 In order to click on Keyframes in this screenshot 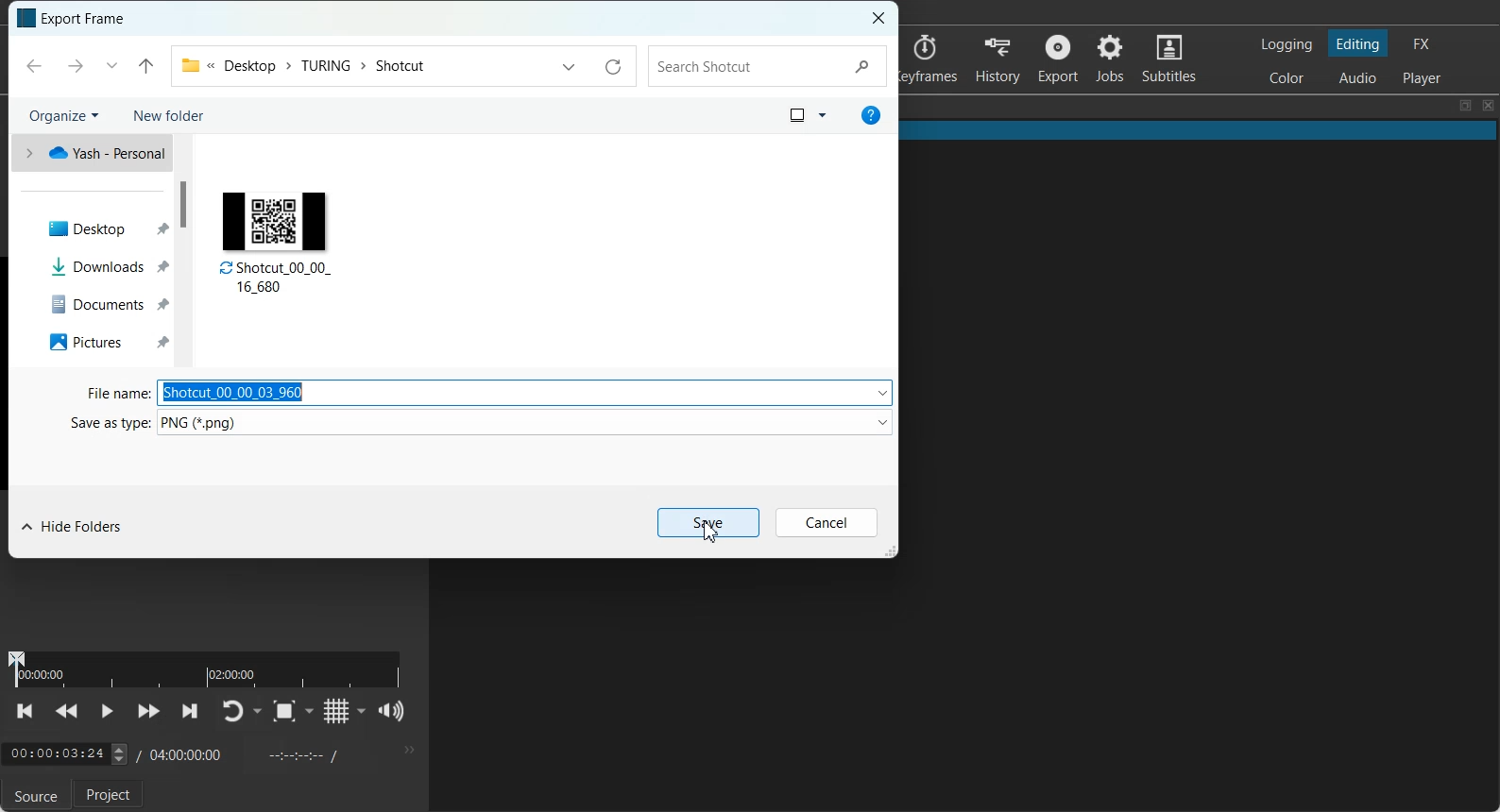, I will do `click(932, 59)`.